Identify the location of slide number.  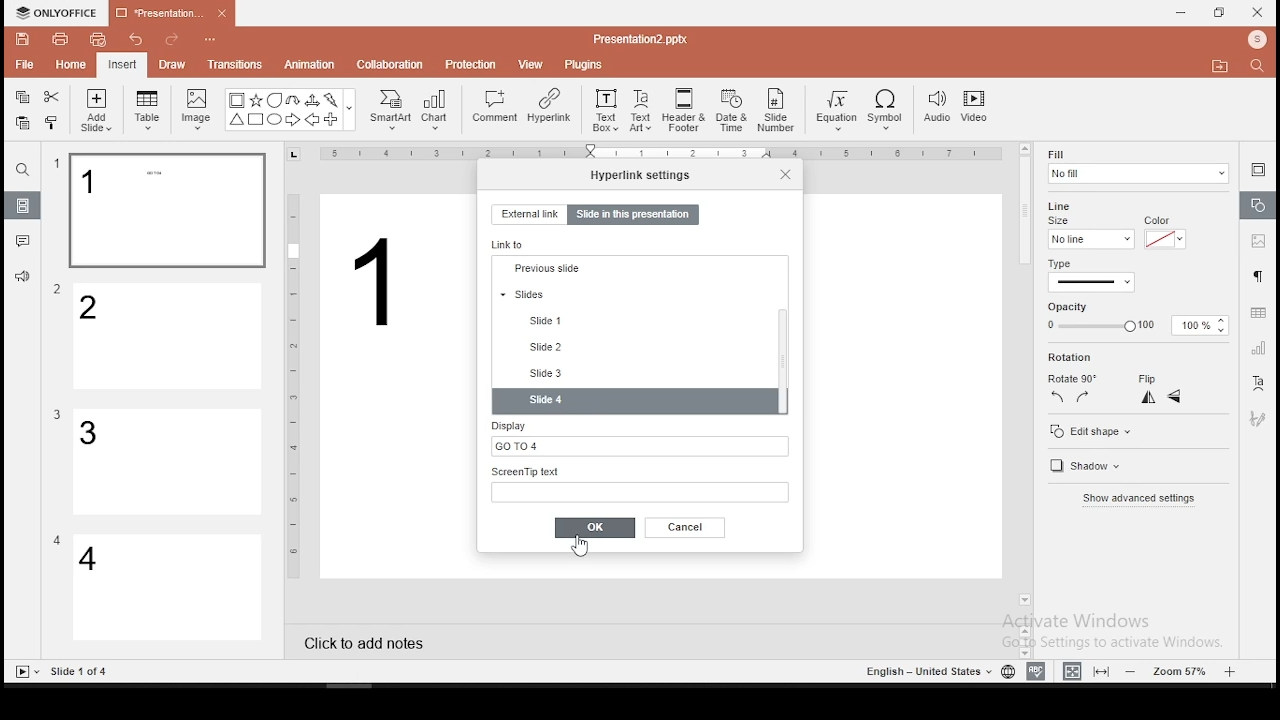
(777, 110).